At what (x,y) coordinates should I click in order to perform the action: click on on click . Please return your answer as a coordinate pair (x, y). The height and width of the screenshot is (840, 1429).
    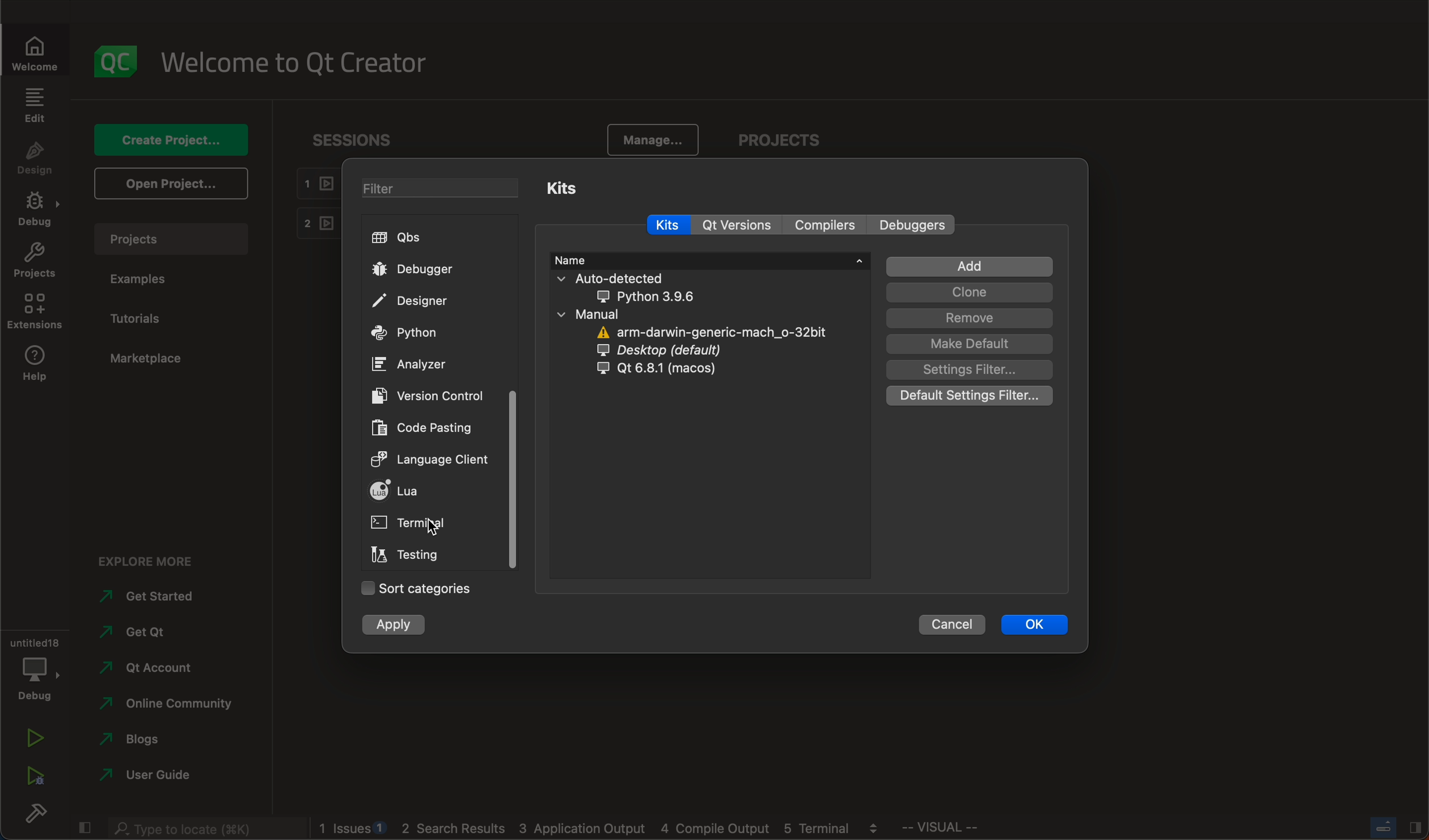
    Looking at the image, I should click on (414, 526).